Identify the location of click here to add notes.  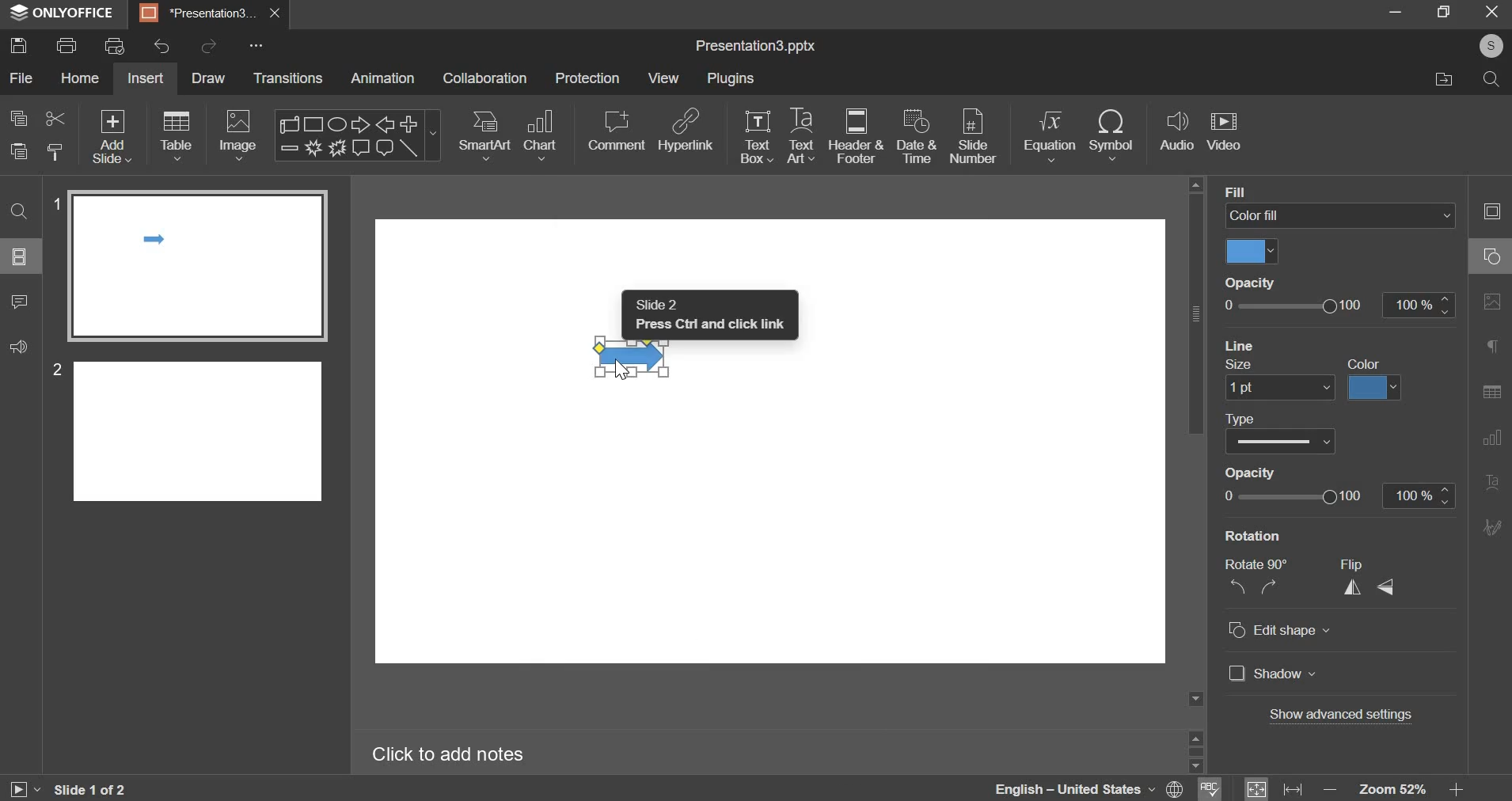
(448, 755).